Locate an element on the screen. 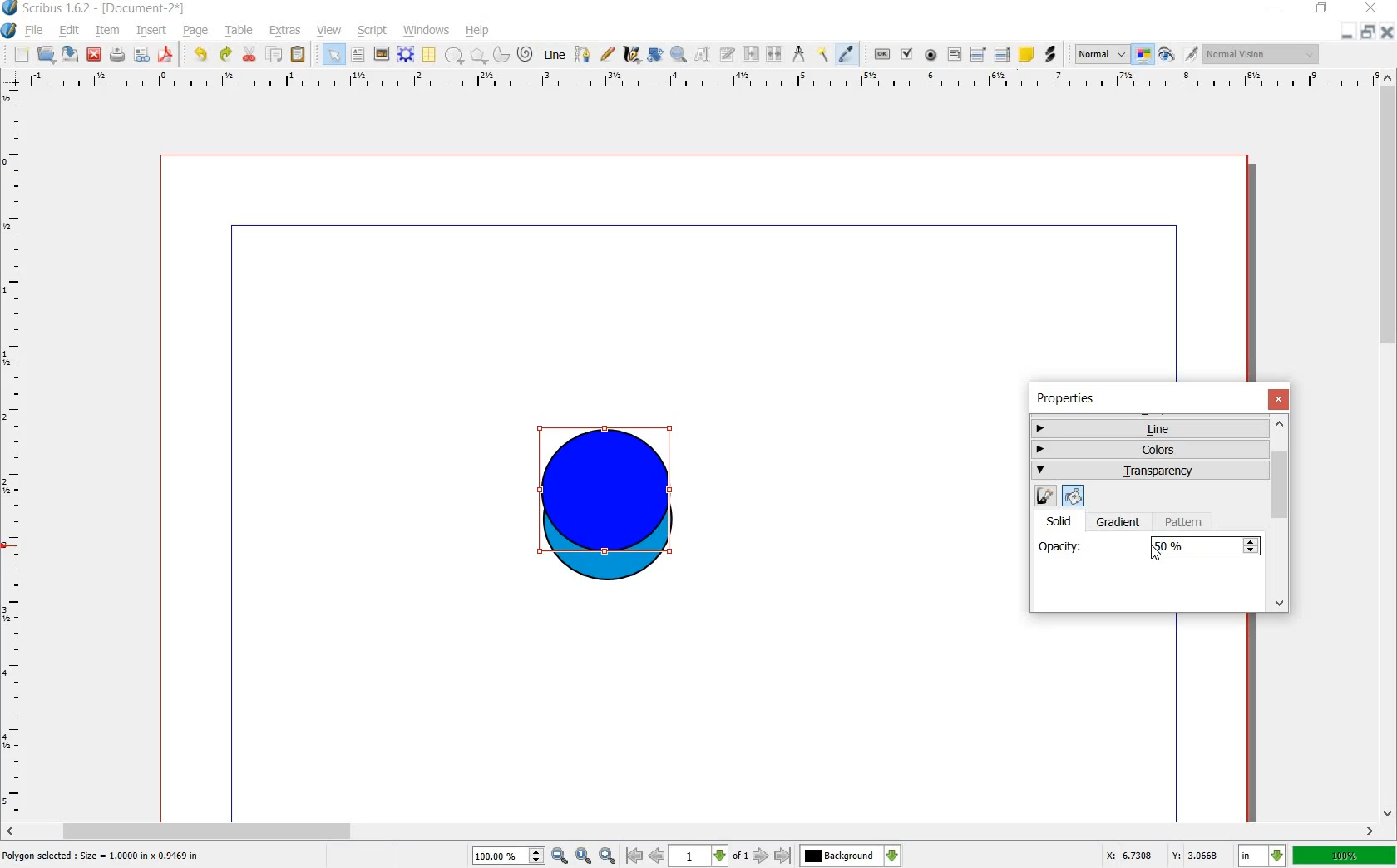  100% is located at coordinates (1345, 857).